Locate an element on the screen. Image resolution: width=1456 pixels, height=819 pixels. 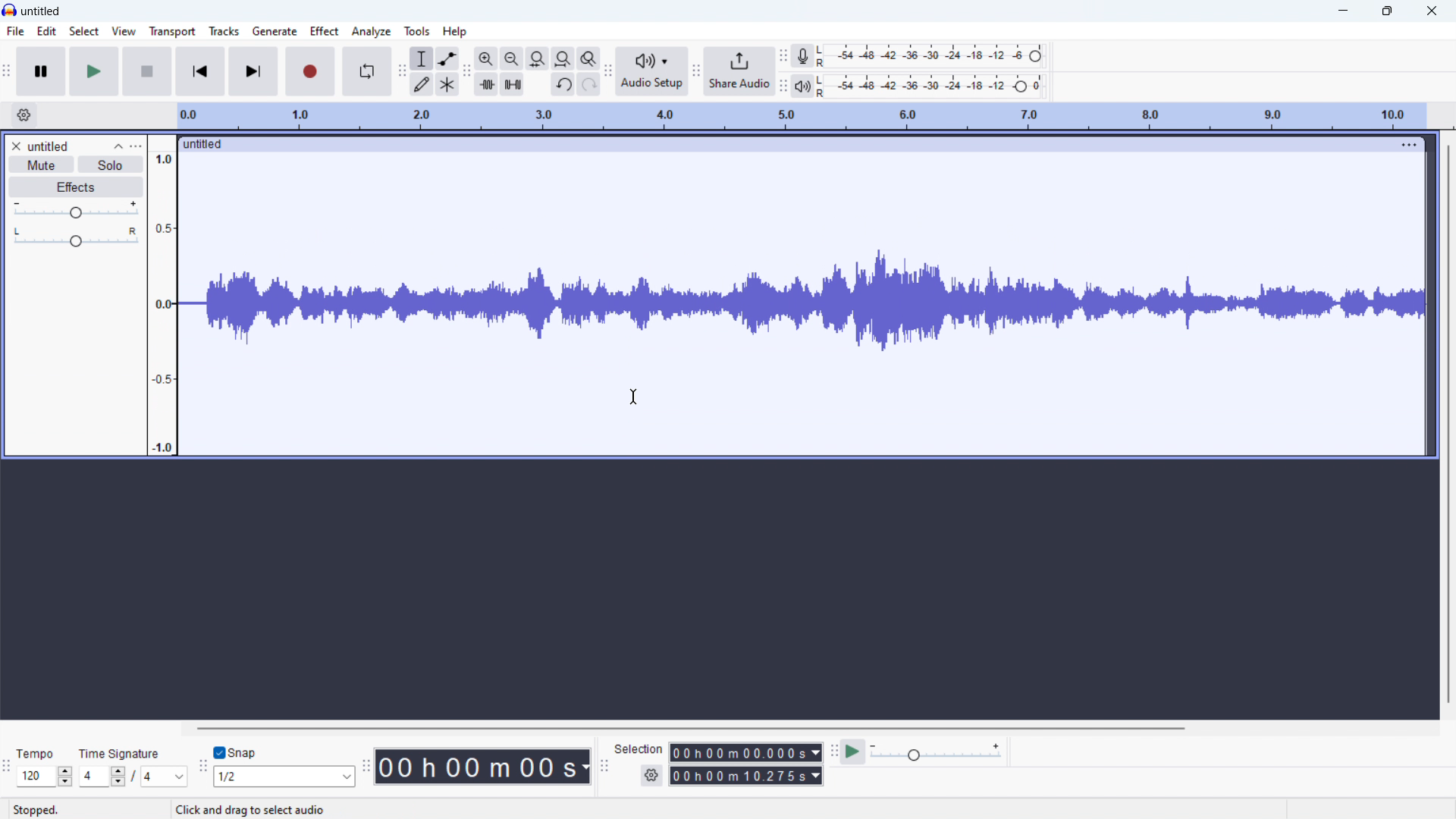
stop is located at coordinates (148, 71).